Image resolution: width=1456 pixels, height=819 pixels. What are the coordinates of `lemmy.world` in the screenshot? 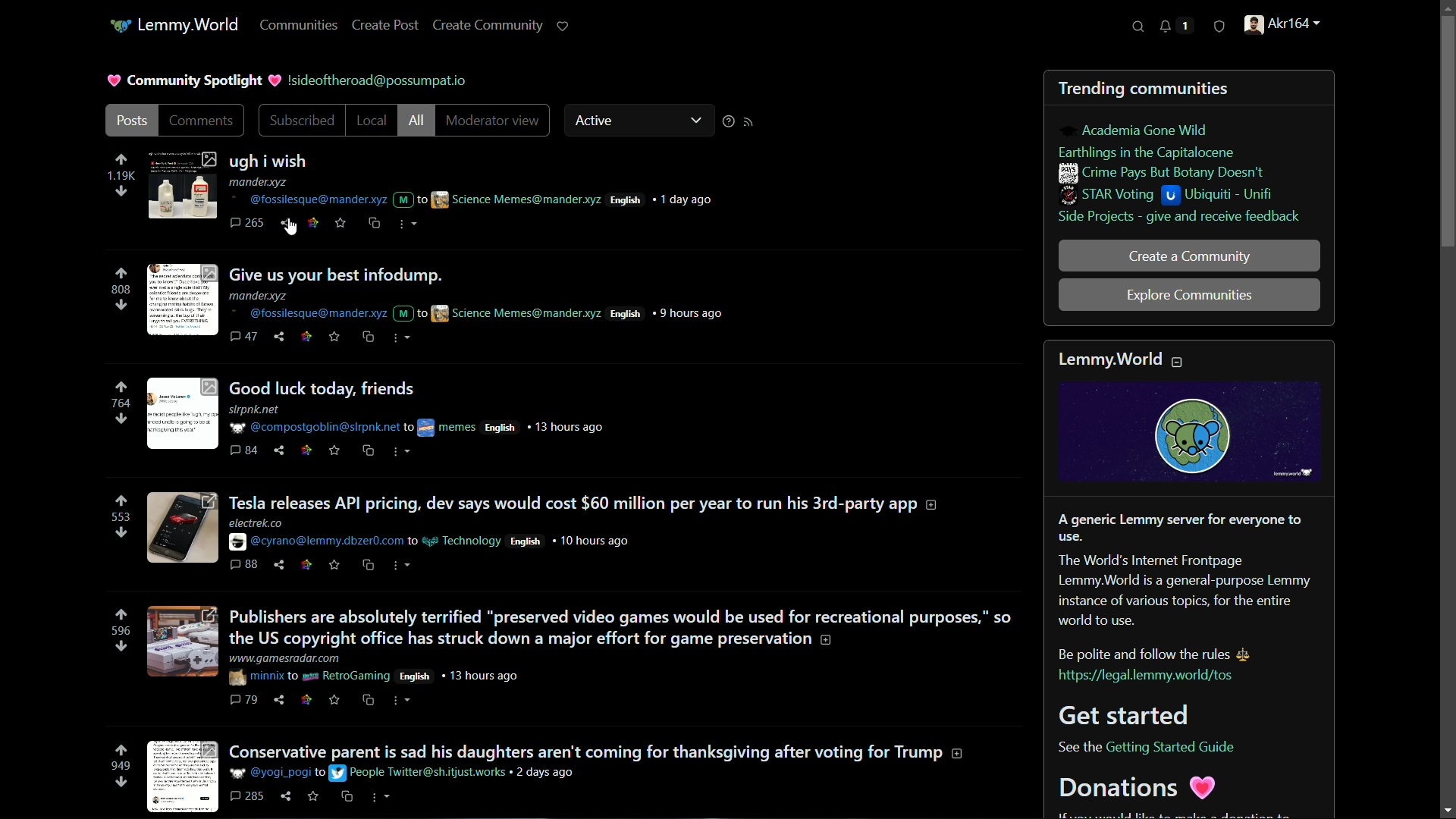 It's located at (174, 27).